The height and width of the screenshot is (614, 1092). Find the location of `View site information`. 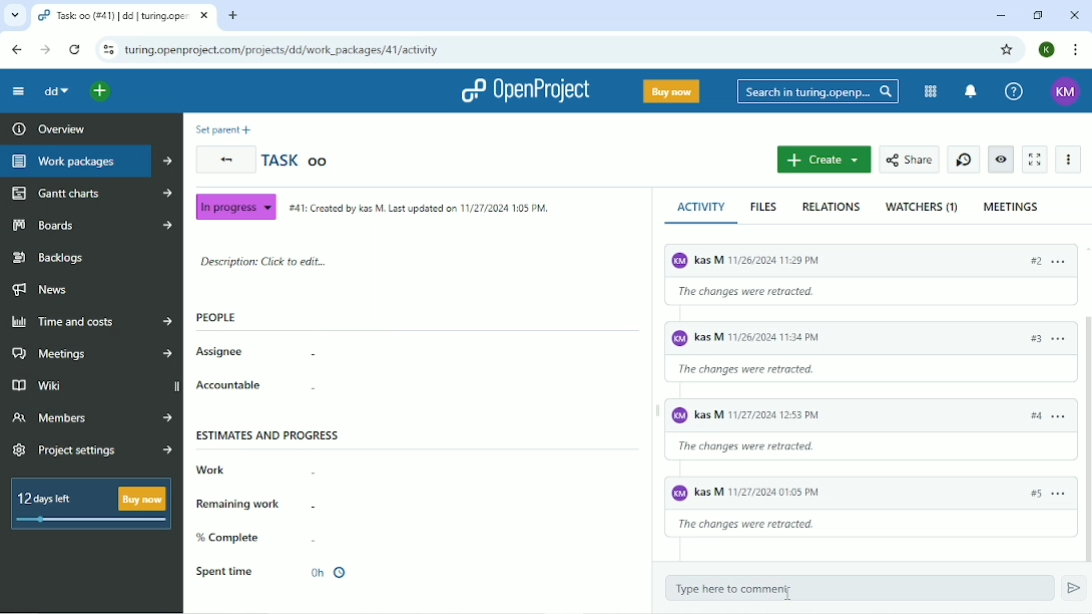

View site information is located at coordinates (107, 51).